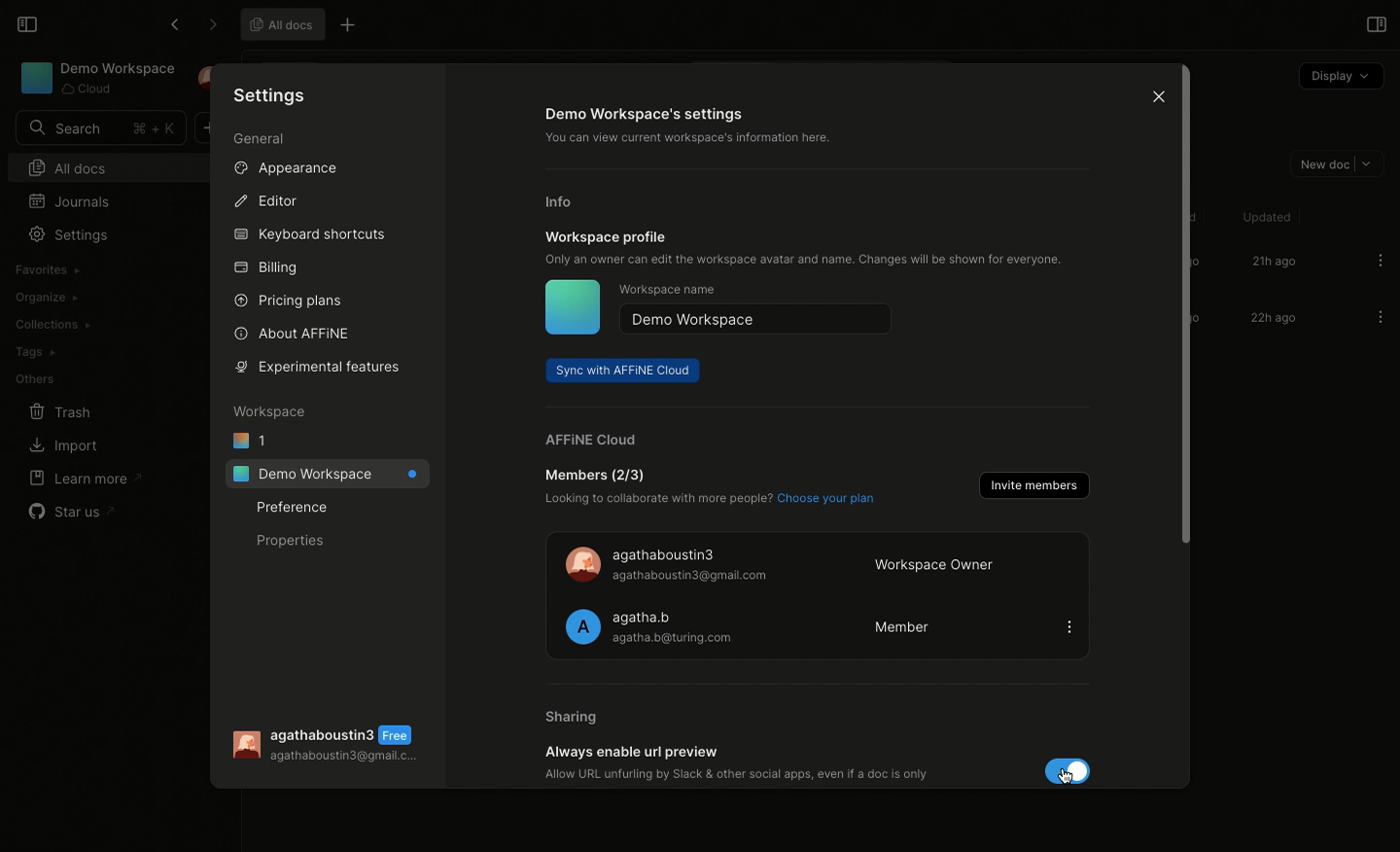  Describe the element at coordinates (324, 370) in the screenshot. I see `Experimental features` at that location.